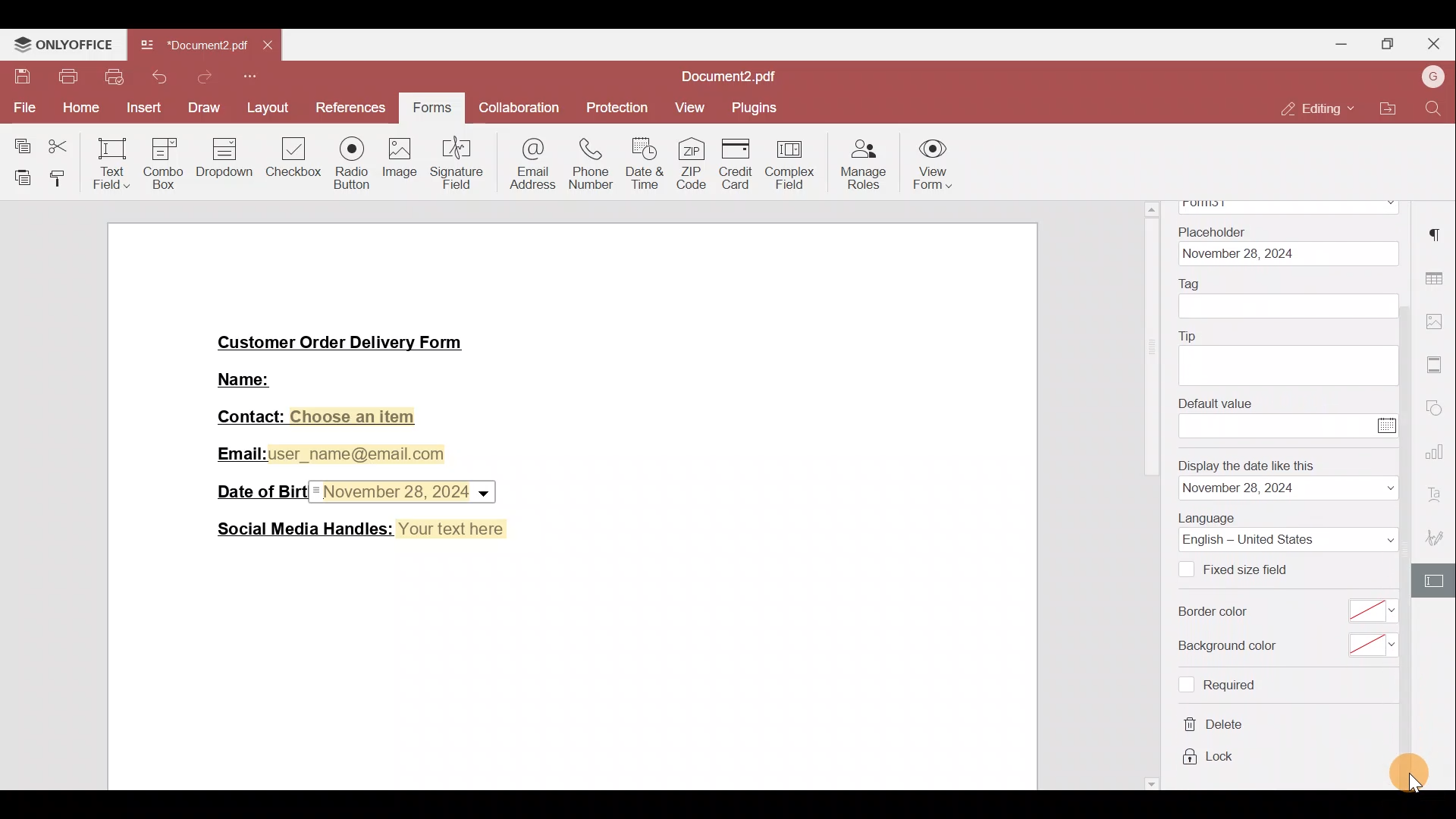 Image resolution: width=1456 pixels, height=819 pixels. Describe the element at coordinates (1434, 44) in the screenshot. I see `Close` at that location.